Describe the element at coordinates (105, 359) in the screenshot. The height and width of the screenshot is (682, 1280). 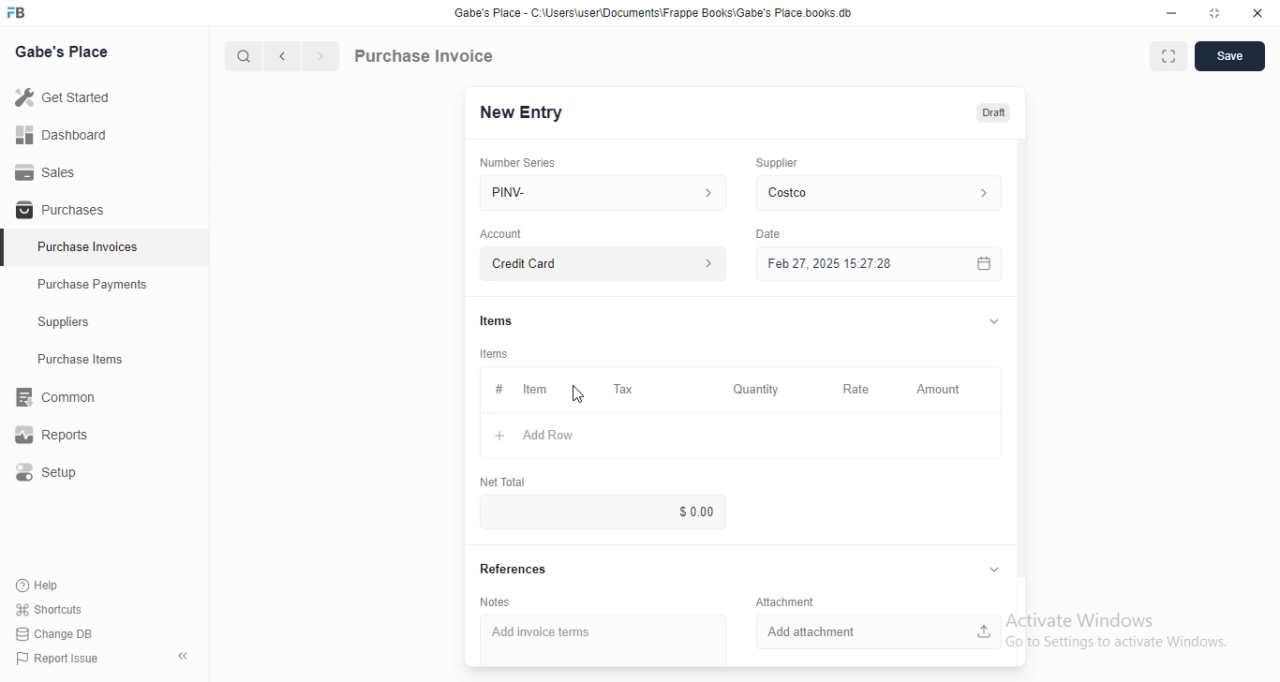
I see `Purchase Items` at that location.